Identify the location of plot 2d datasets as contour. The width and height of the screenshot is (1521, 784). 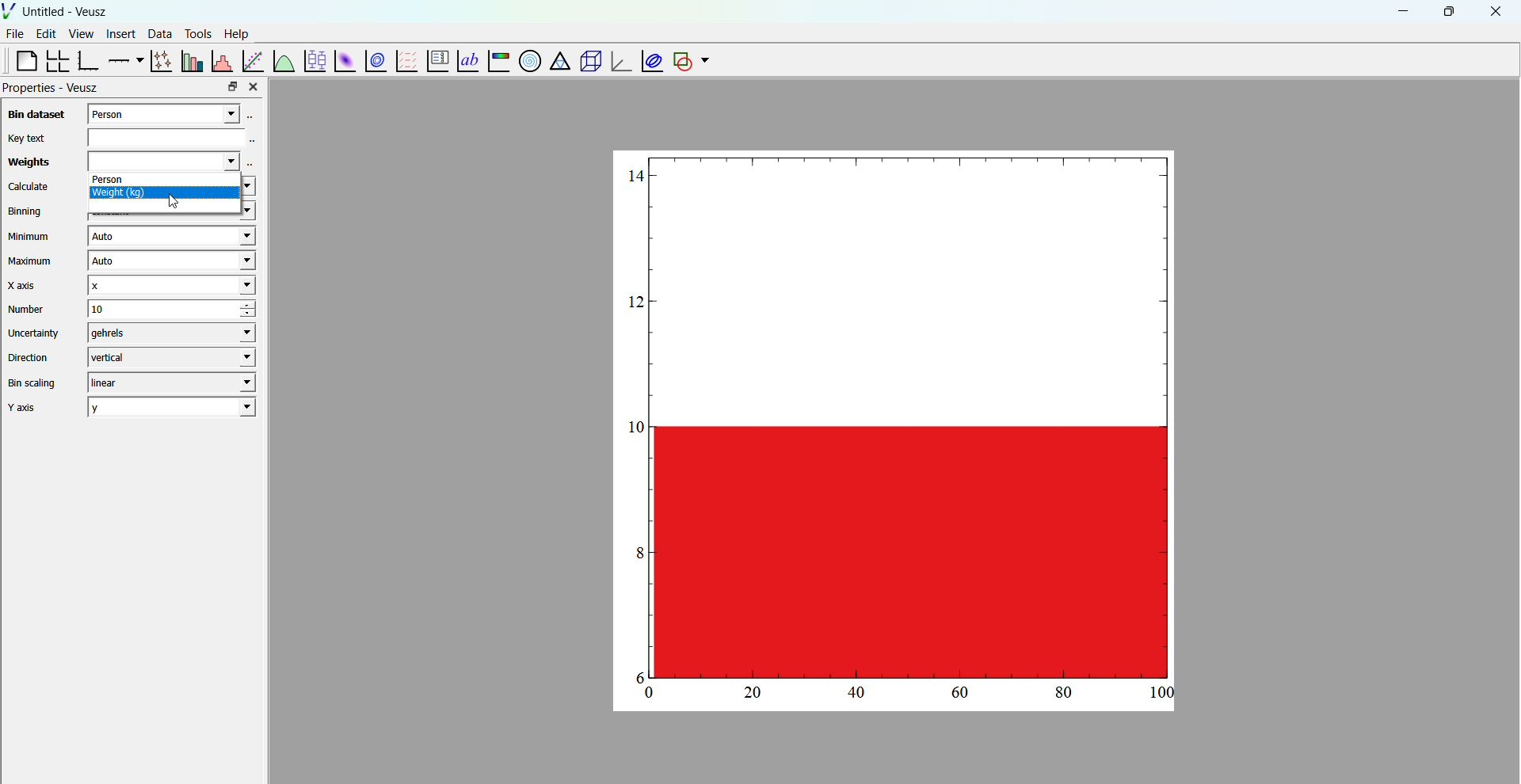
(376, 62).